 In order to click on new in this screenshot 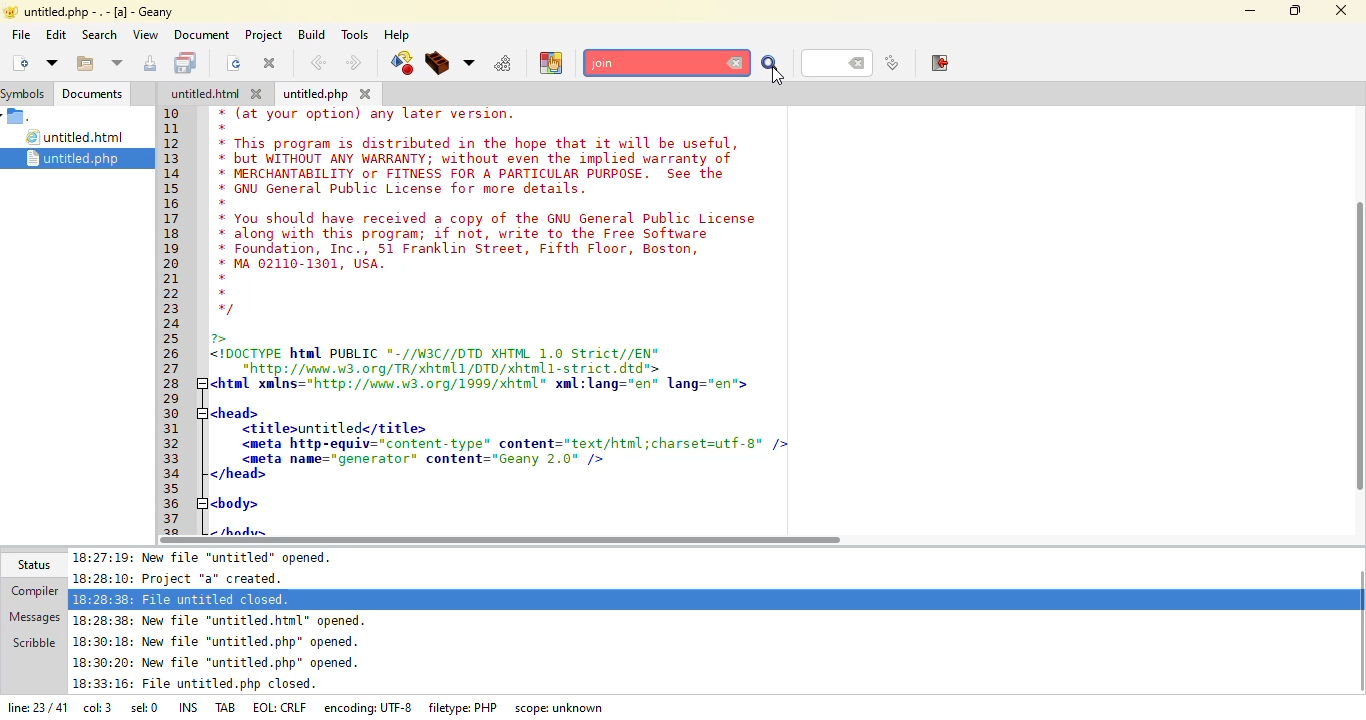, I will do `click(19, 62)`.